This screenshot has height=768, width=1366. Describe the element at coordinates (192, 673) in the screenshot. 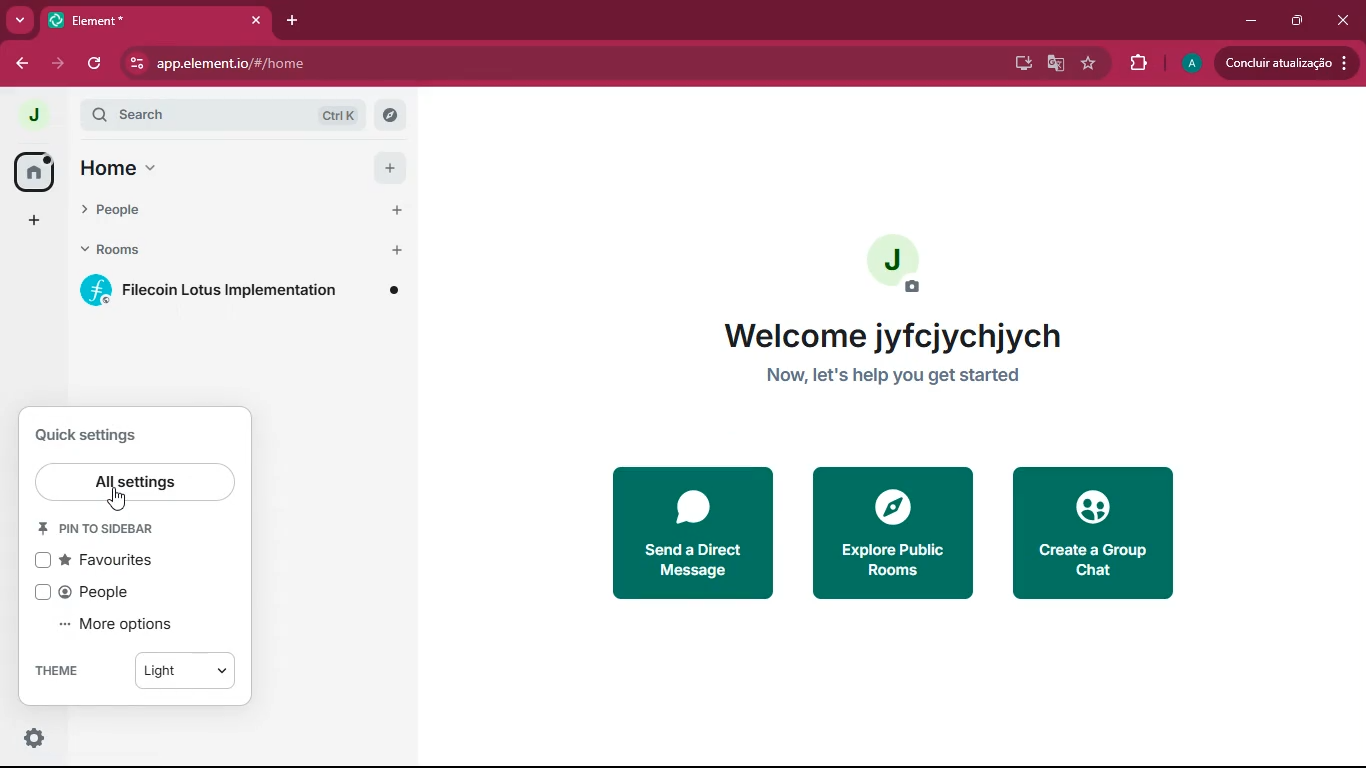

I see `light ` at that location.